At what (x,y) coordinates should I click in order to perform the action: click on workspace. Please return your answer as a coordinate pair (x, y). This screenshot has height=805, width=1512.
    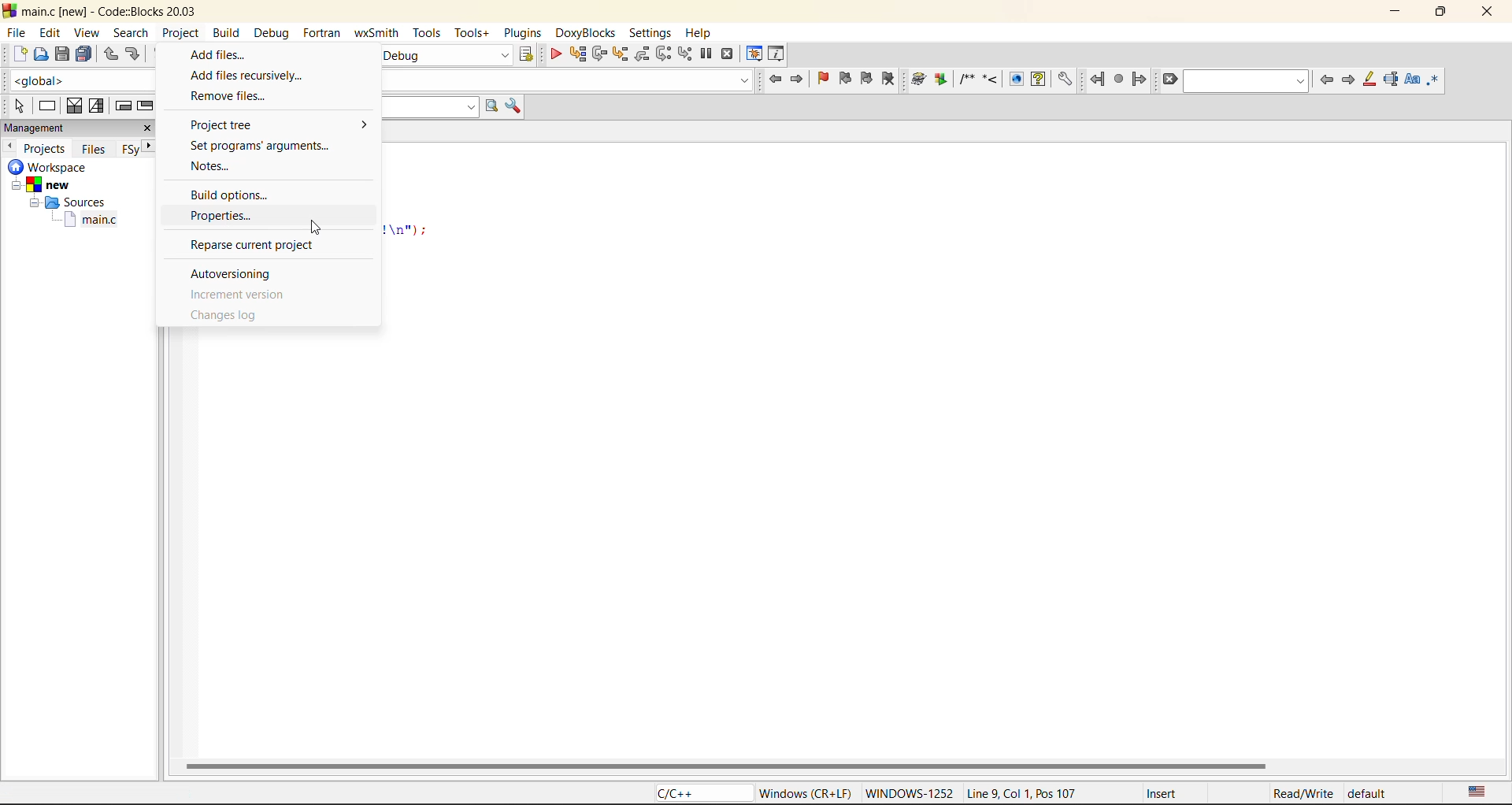
    Looking at the image, I should click on (66, 167).